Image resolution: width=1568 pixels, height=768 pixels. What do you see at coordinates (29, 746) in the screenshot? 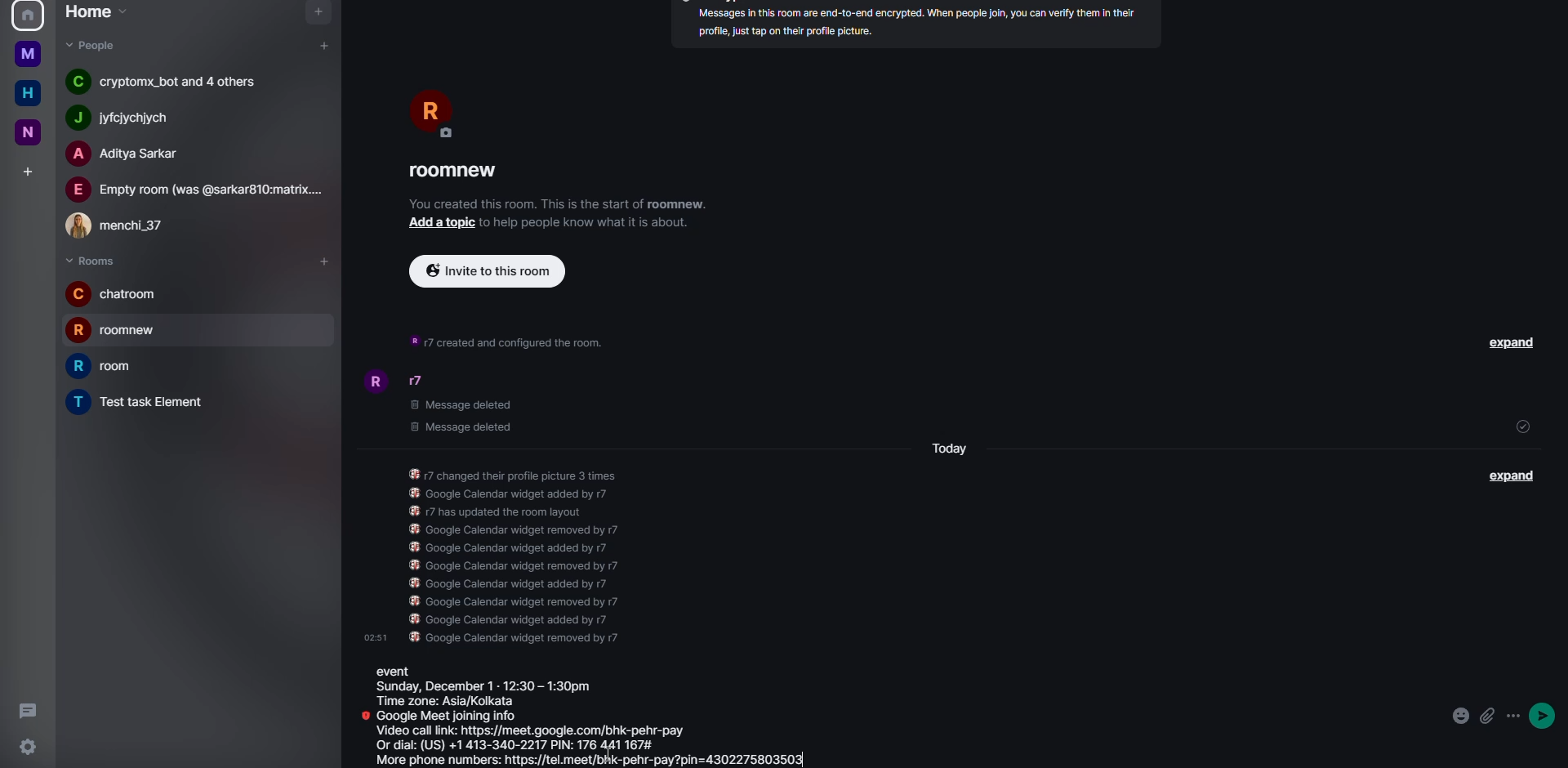
I see `settings` at bounding box center [29, 746].